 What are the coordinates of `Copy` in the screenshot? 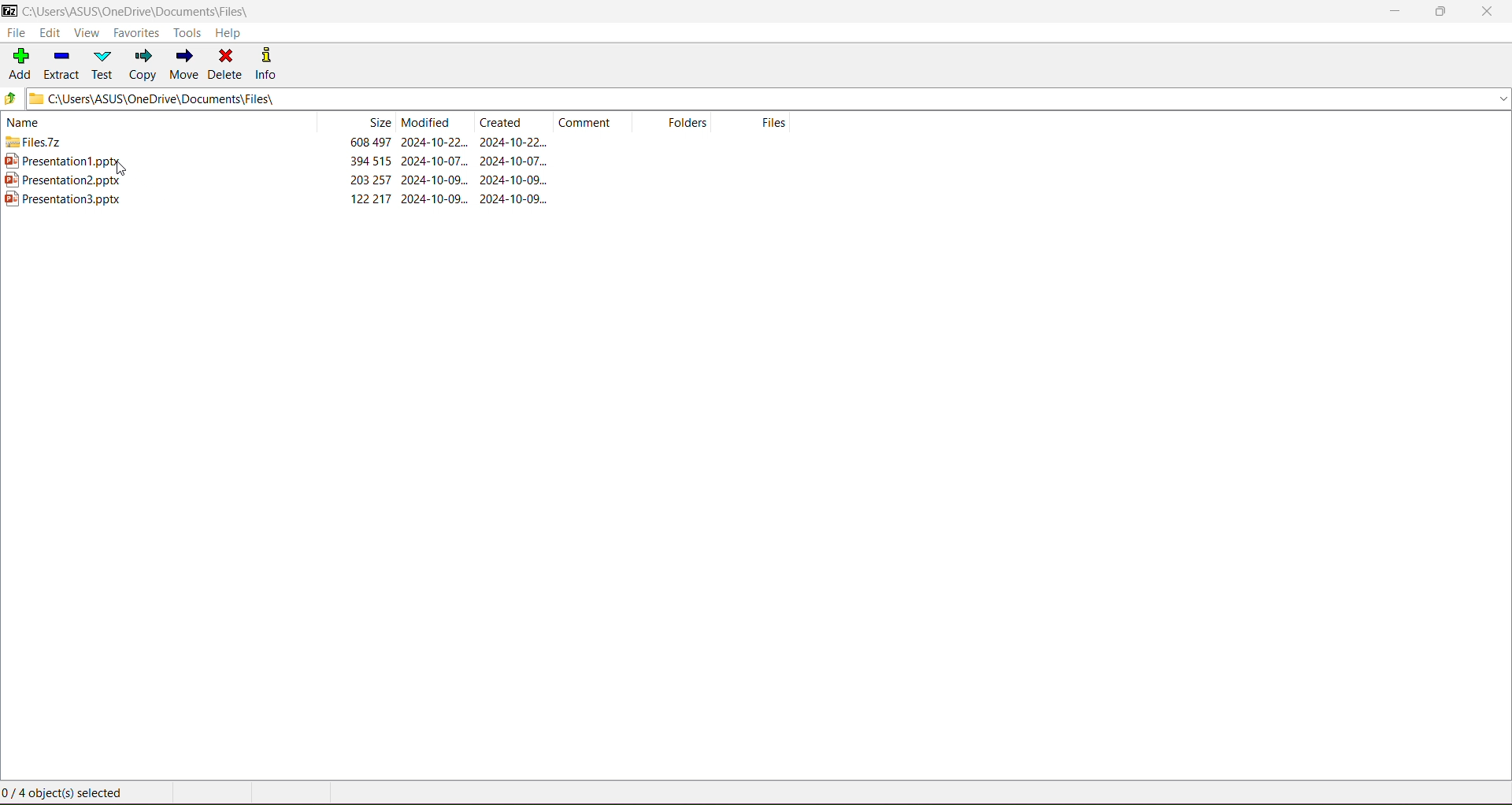 It's located at (144, 65).